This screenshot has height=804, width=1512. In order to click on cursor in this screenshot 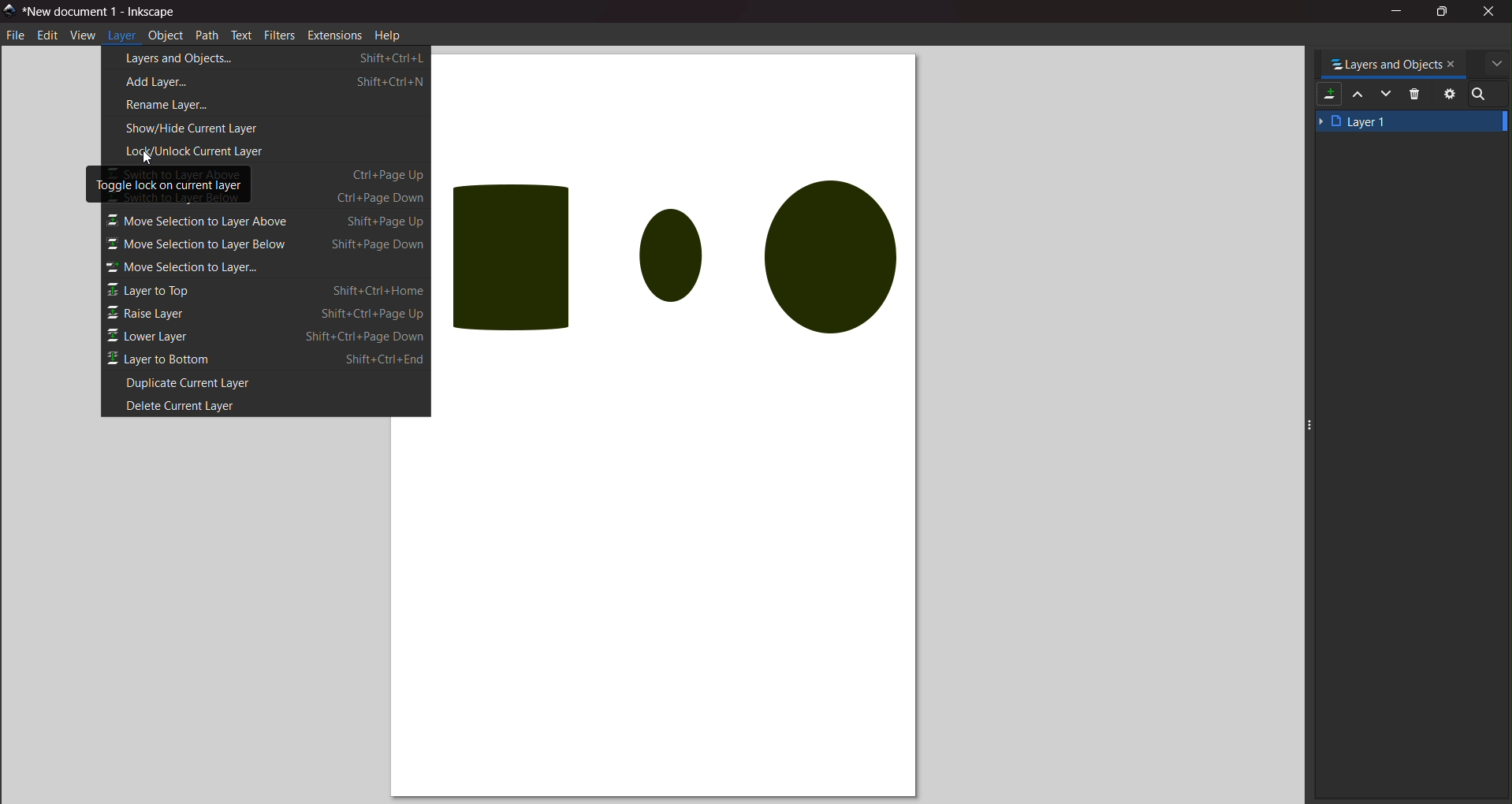, I will do `click(148, 158)`.